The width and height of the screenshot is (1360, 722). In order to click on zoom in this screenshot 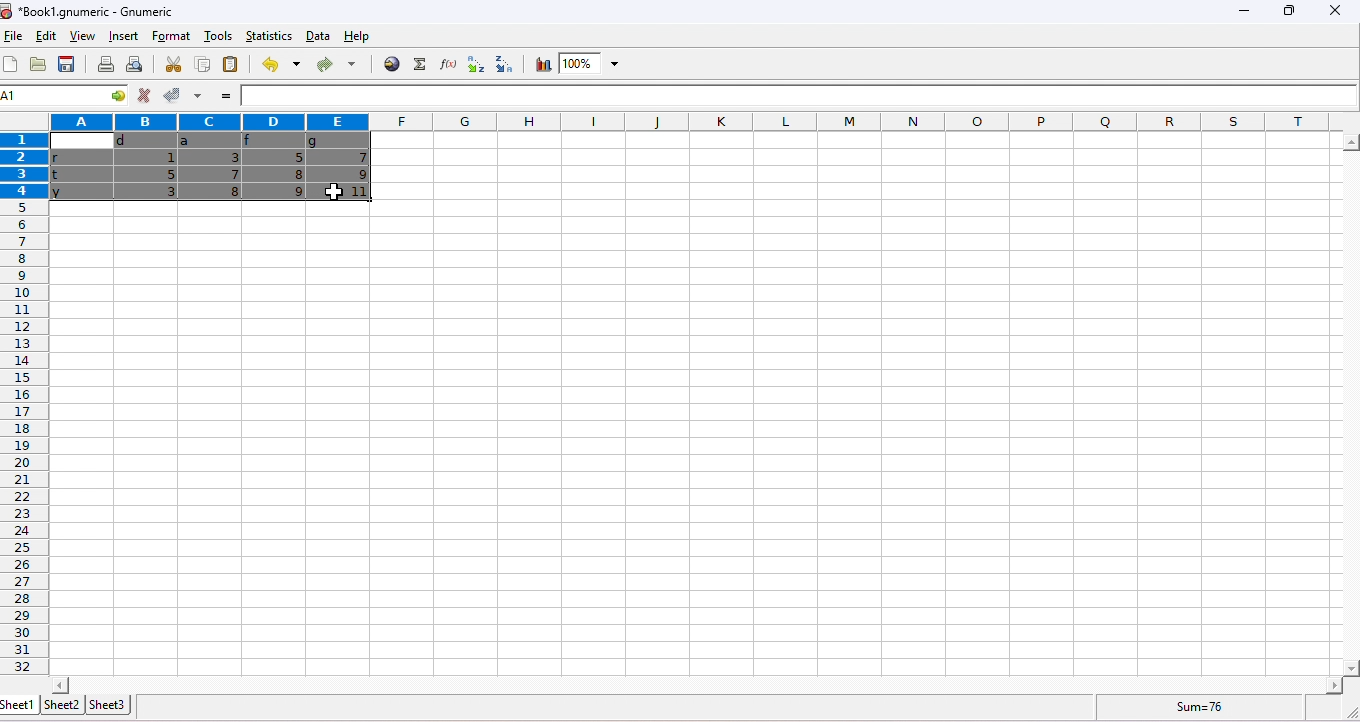, I will do `click(592, 64)`.